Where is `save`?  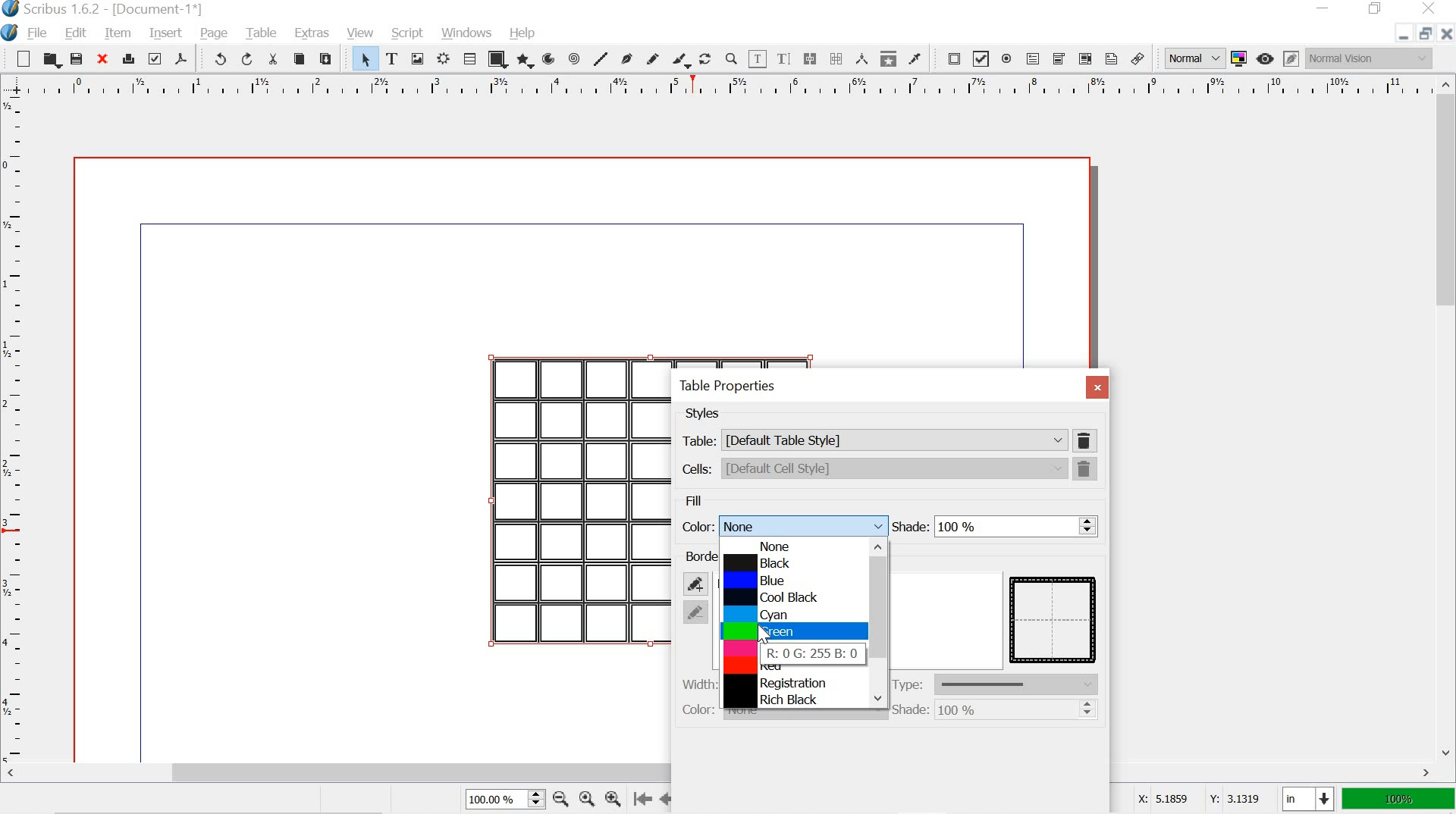 save is located at coordinates (77, 58).